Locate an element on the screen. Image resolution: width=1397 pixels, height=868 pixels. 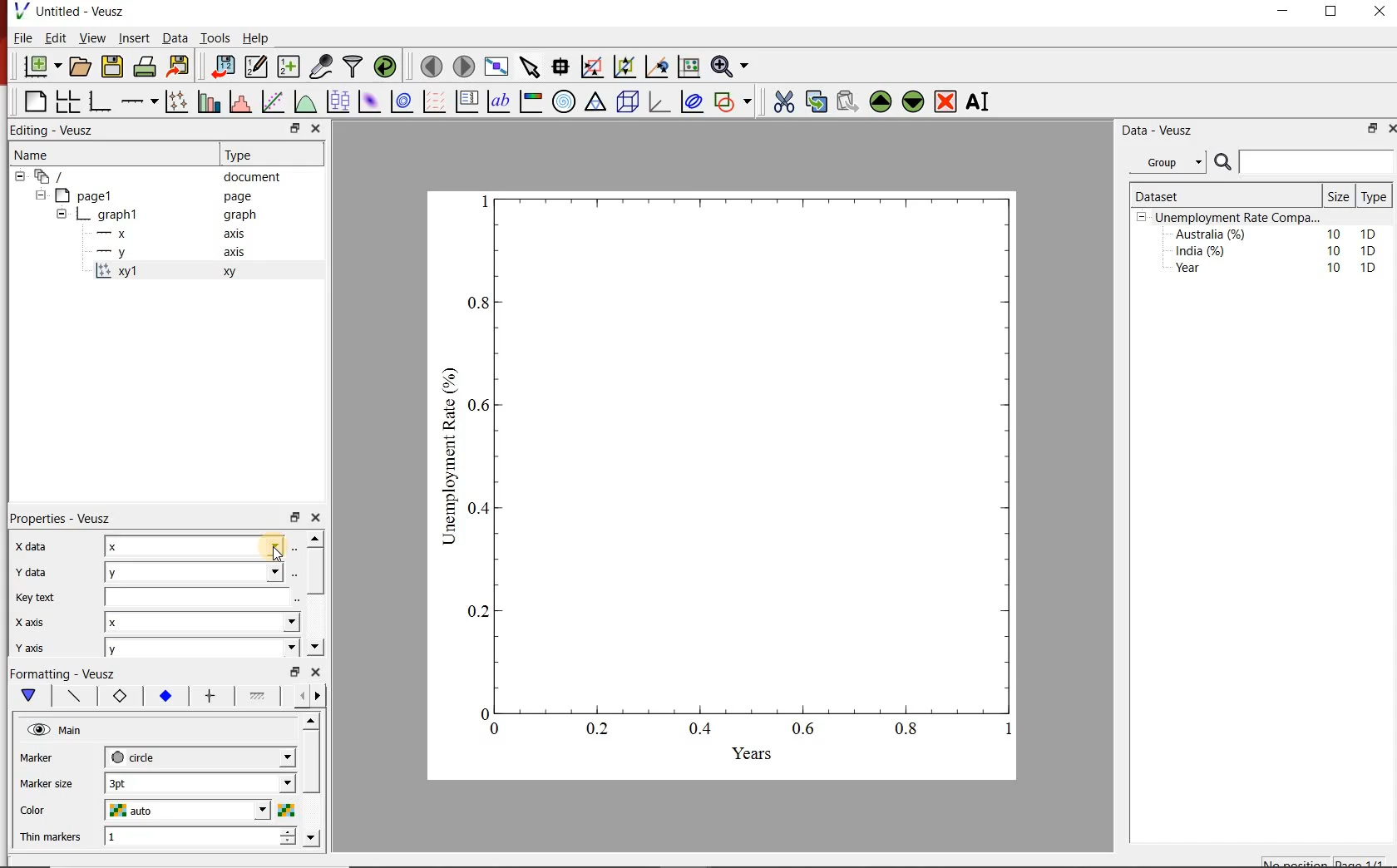
circle is located at coordinates (198, 755).